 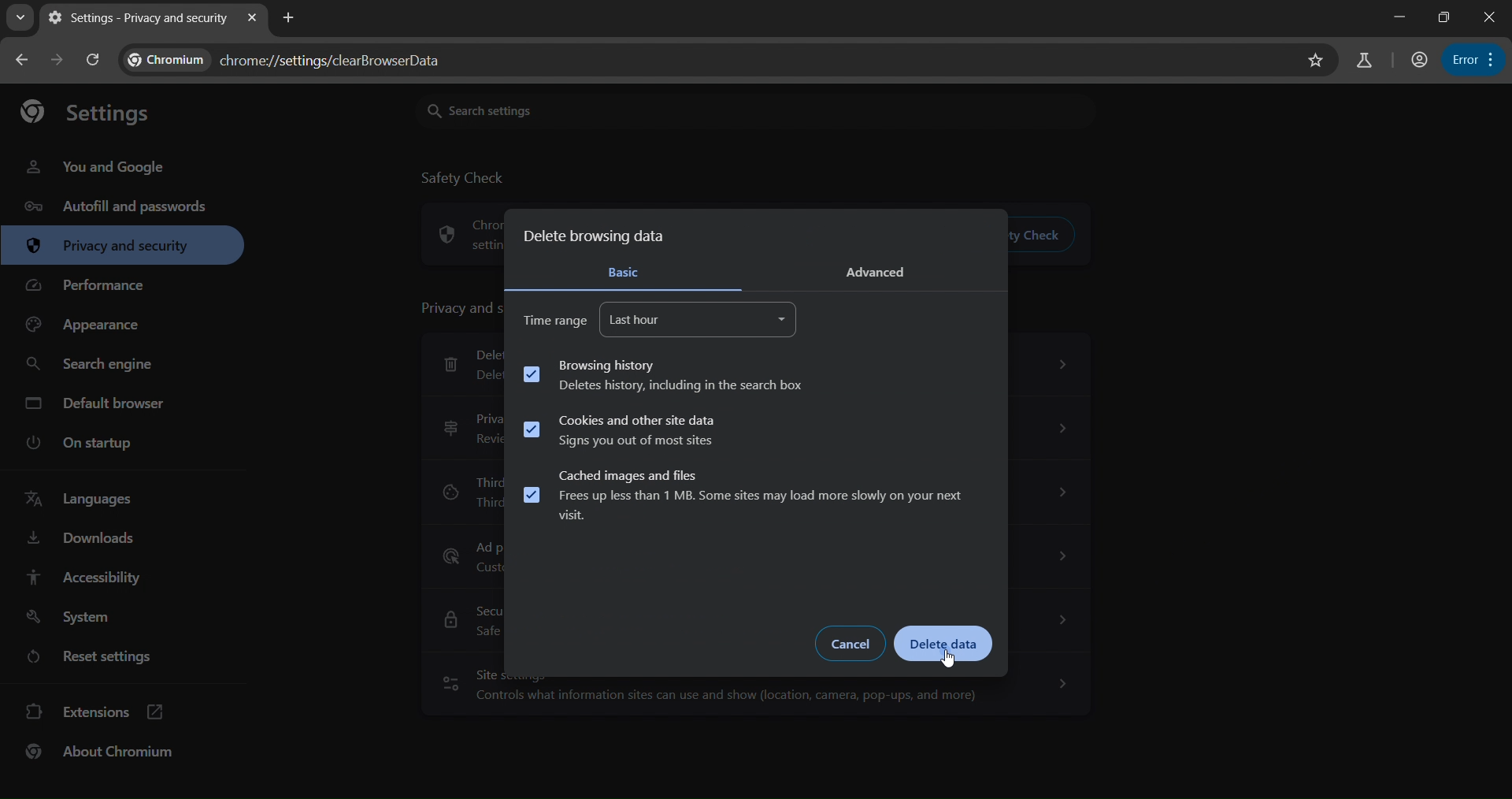 I want to click on about chromium, so click(x=100, y=752).